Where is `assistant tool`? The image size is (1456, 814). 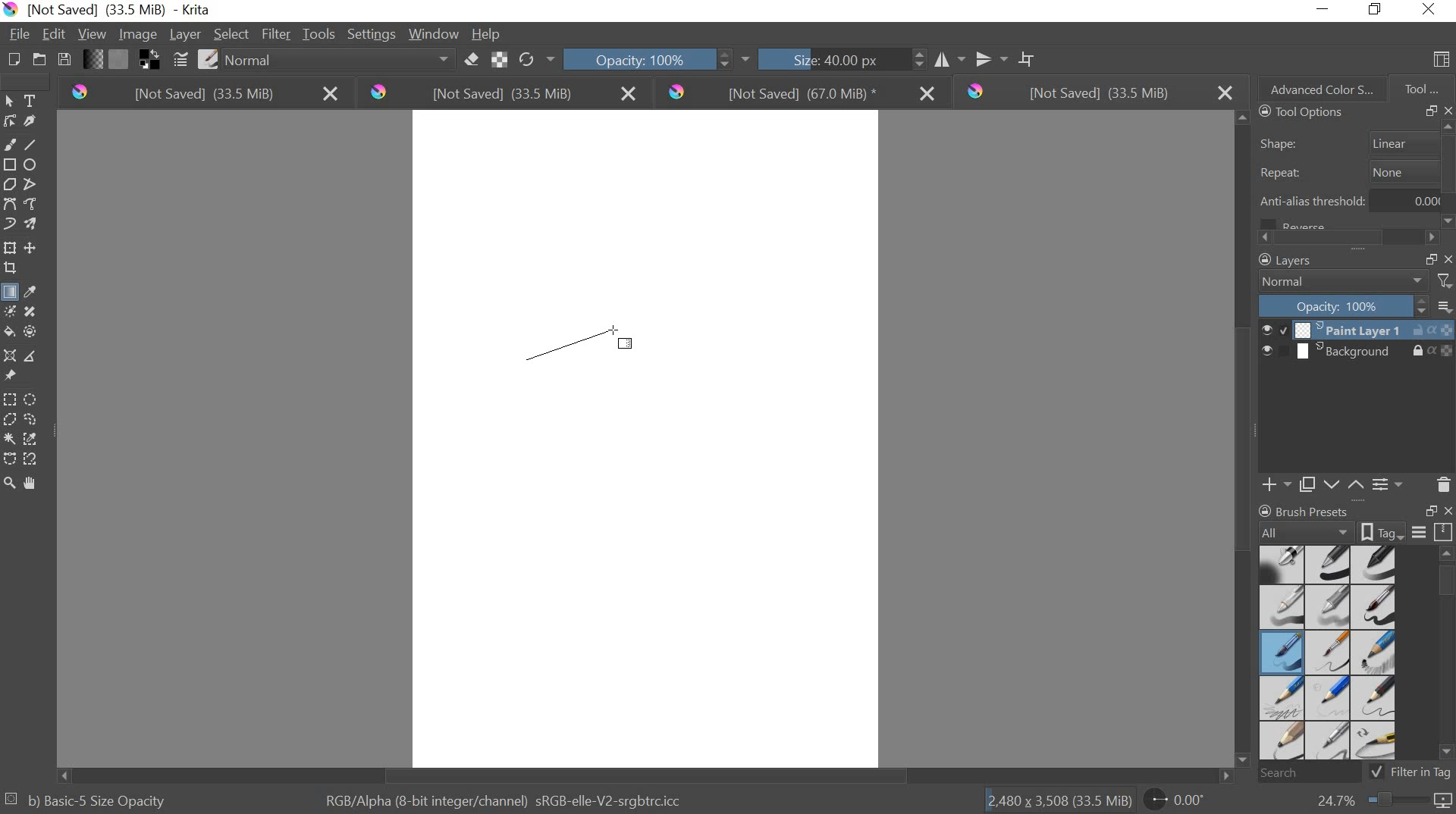 assistant tool is located at coordinates (9, 355).